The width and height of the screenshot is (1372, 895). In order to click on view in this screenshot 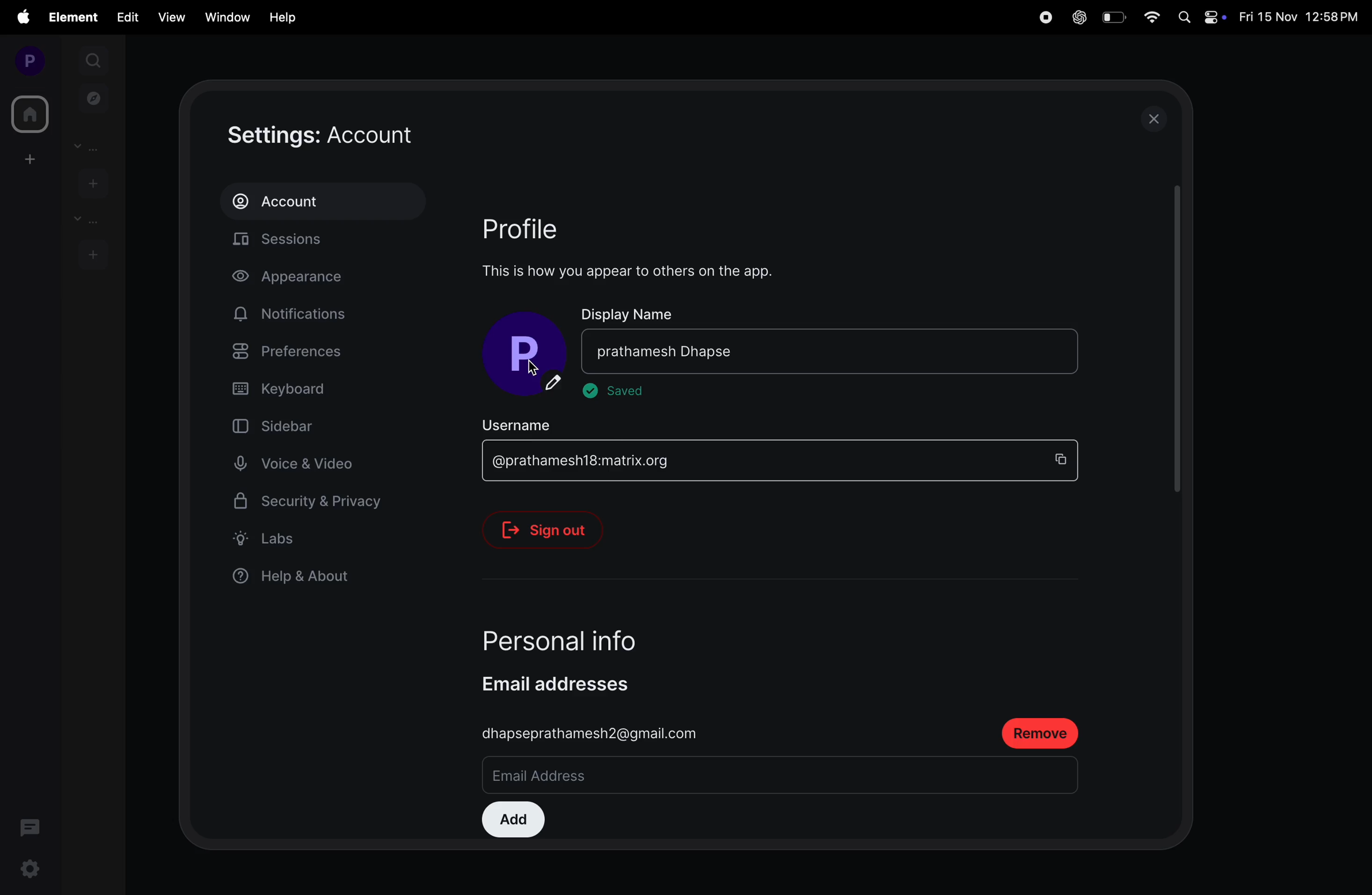, I will do `click(168, 17)`.